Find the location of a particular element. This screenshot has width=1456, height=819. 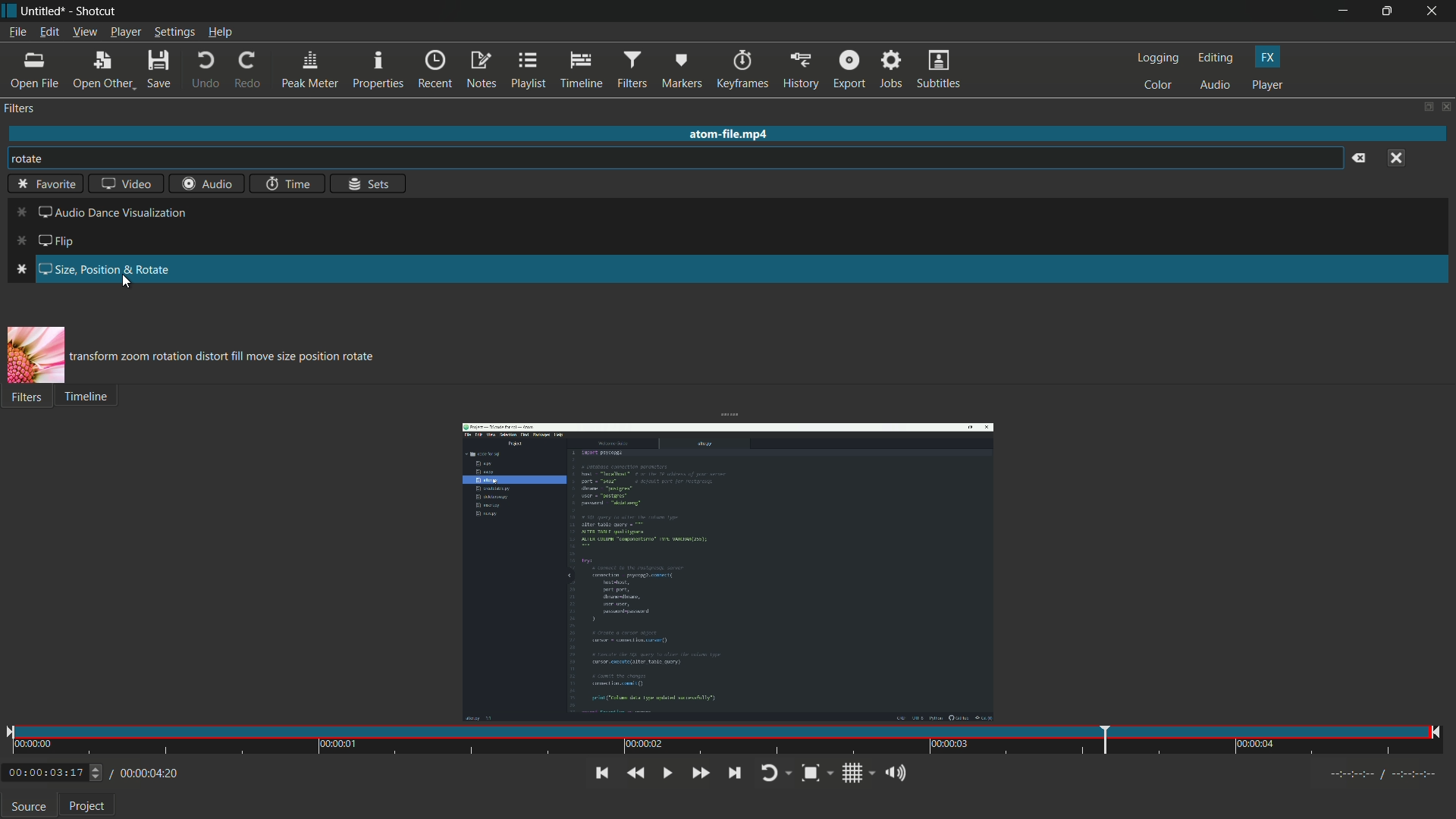

show volume control is located at coordinates (894, 772).